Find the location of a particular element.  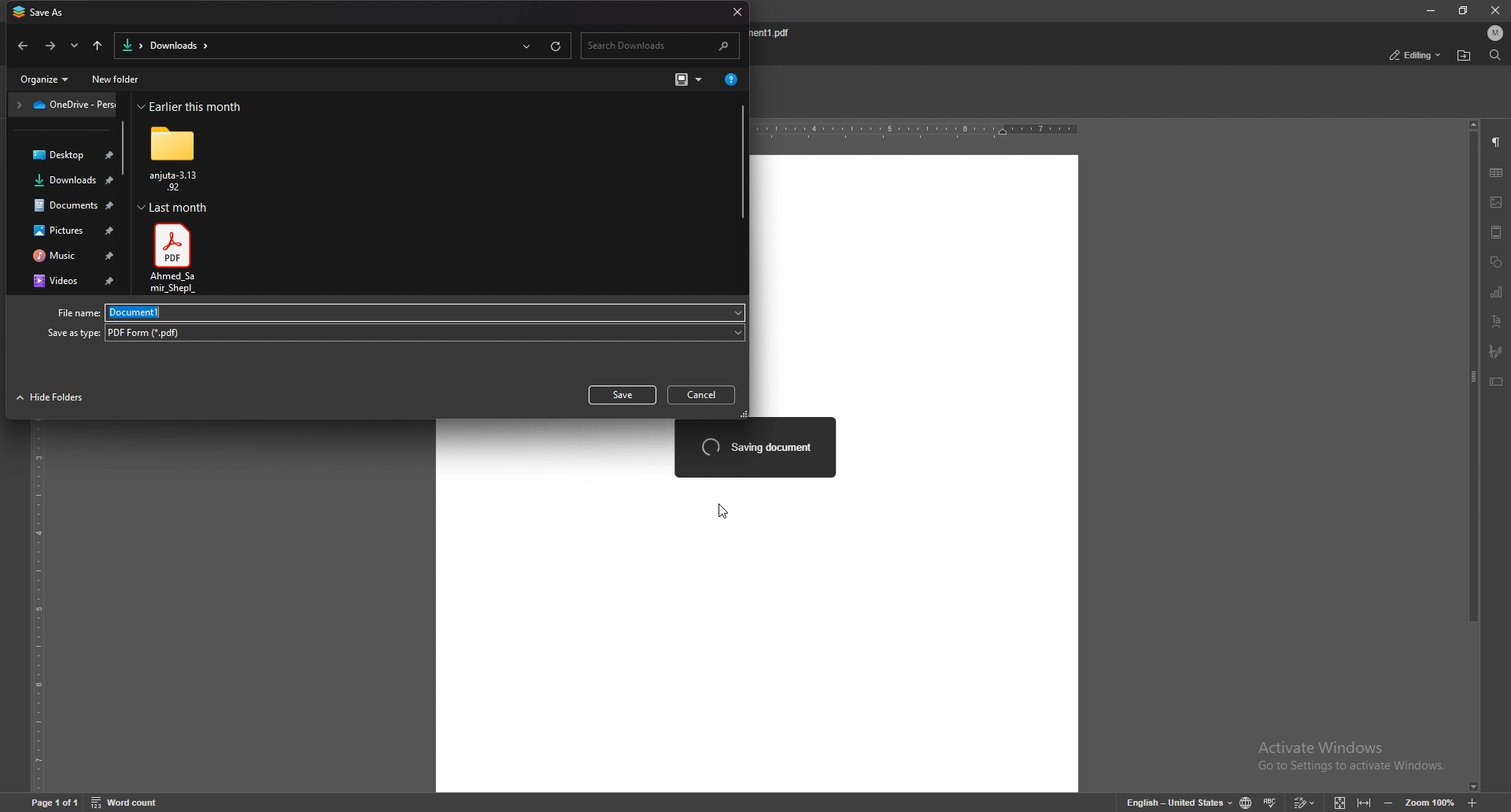

close is located at coordinates (1495, 12).